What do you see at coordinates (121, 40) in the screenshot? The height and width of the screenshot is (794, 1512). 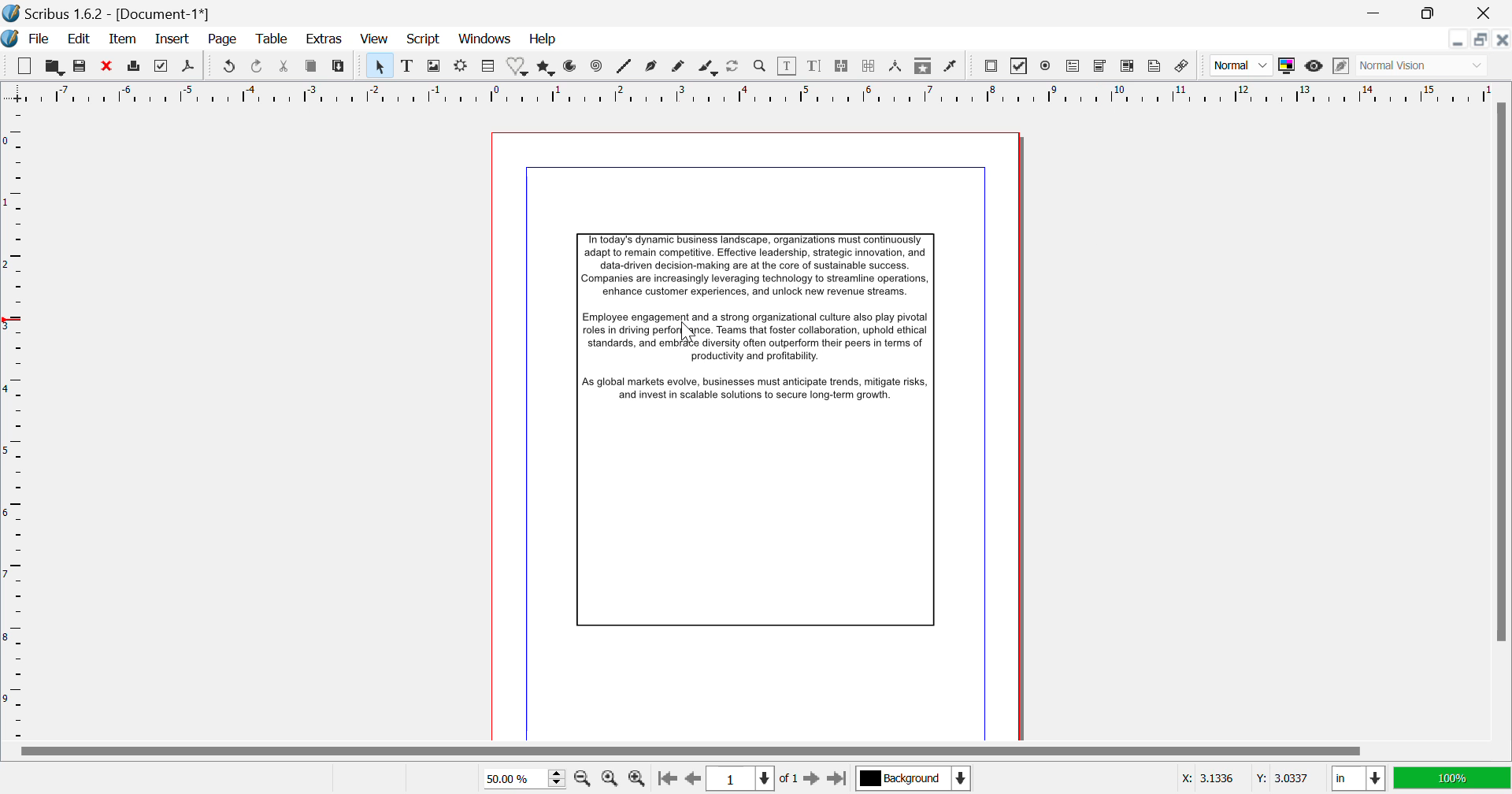 I see `Item` at bounding box center [121, 40].